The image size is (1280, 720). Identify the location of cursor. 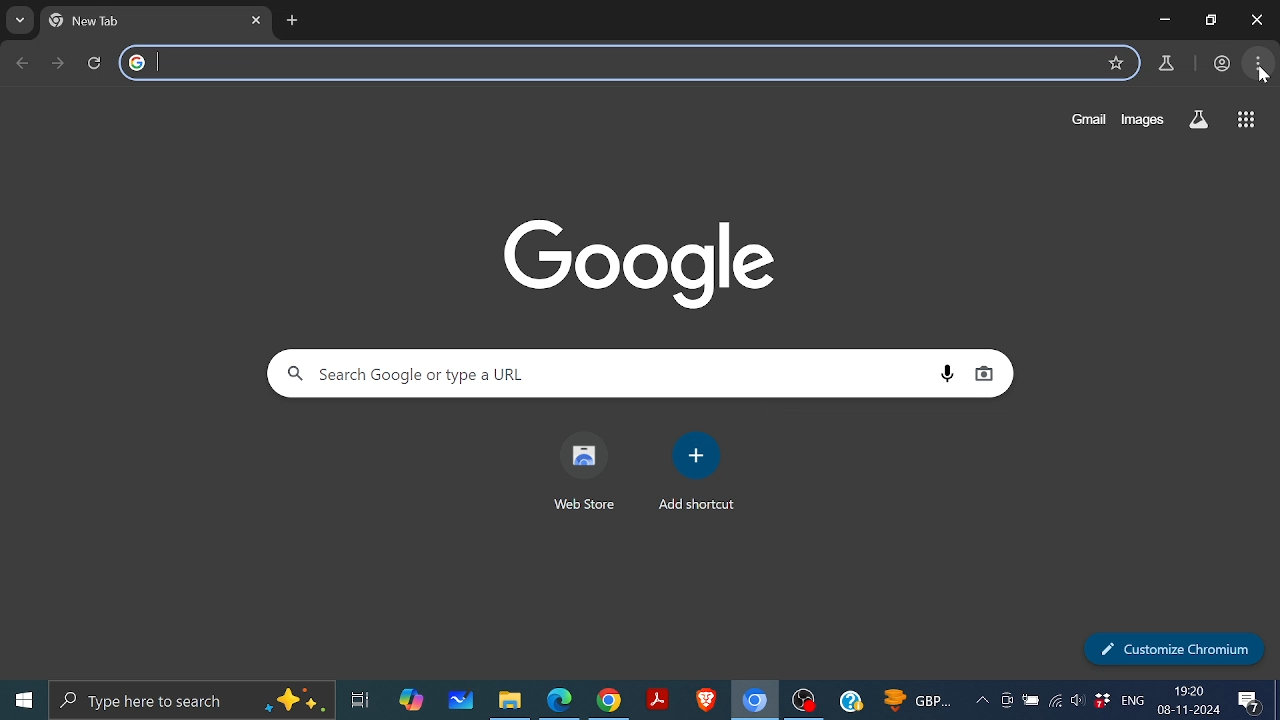
(1262, 76).